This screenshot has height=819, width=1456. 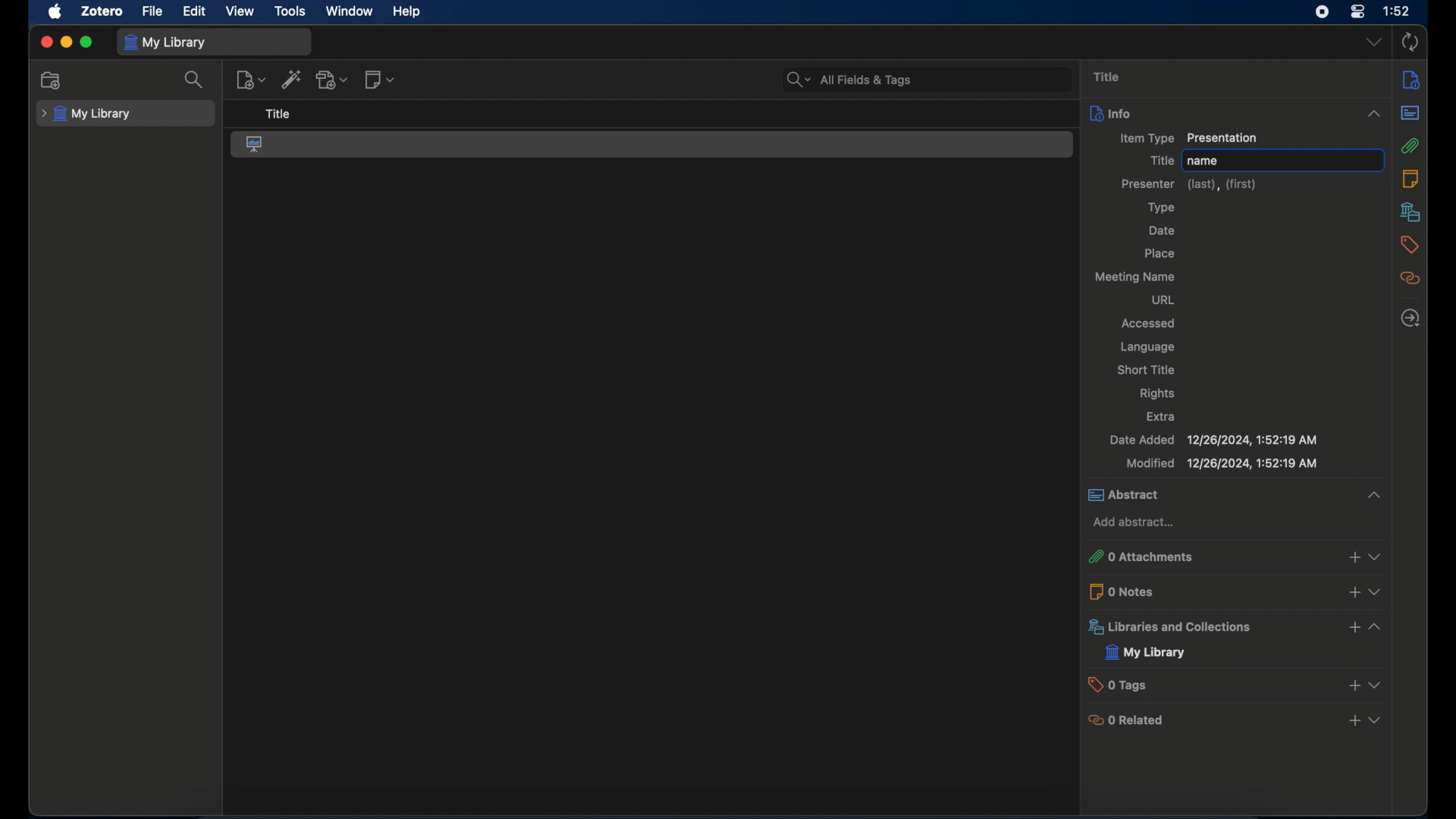 I want to click on extra, so click(x=1162, y=416).